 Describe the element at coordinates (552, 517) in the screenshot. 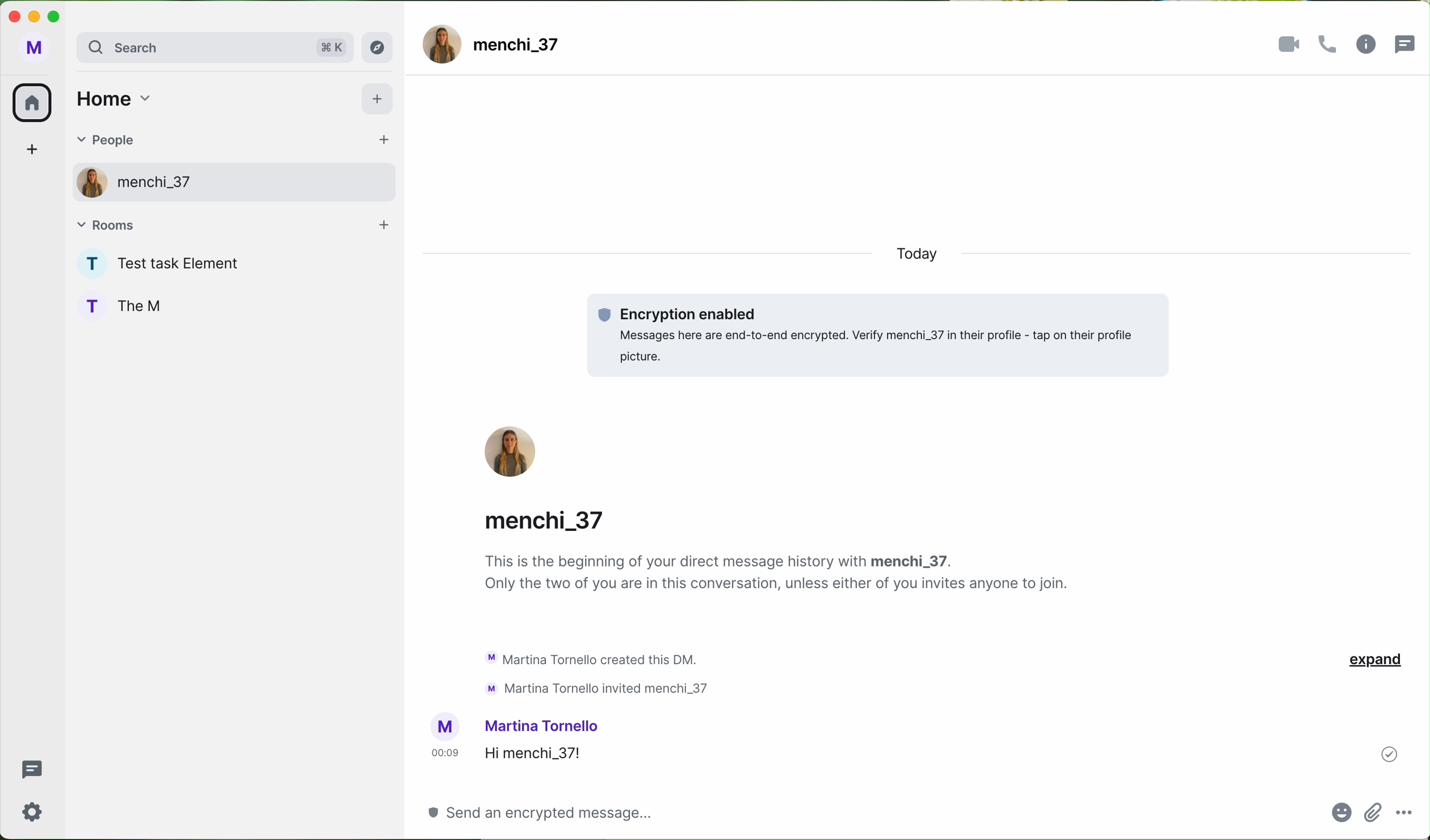

I see `username` at that location.